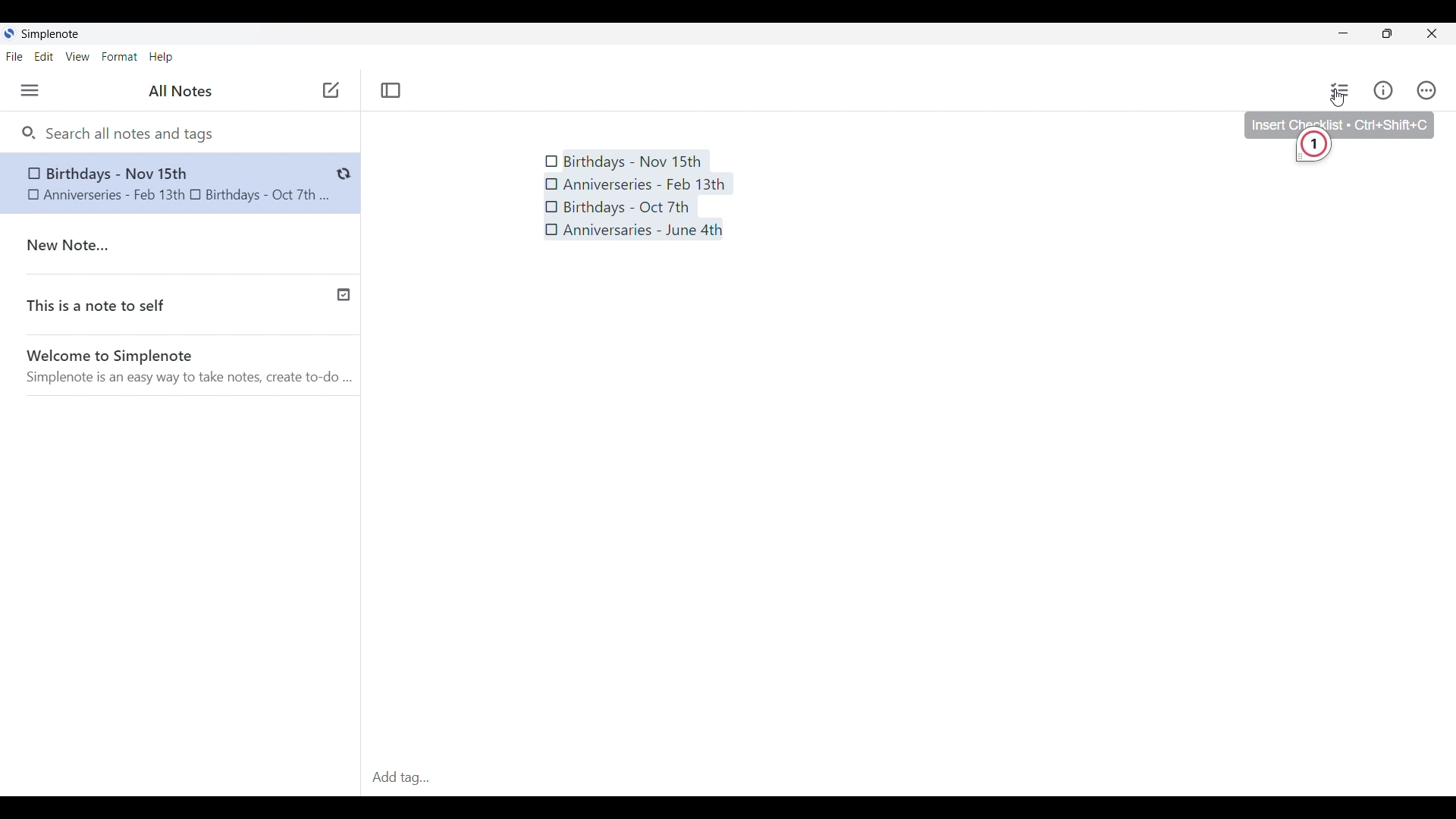  I want to click on Show interface in a smaller tab, so click(1388, 33).